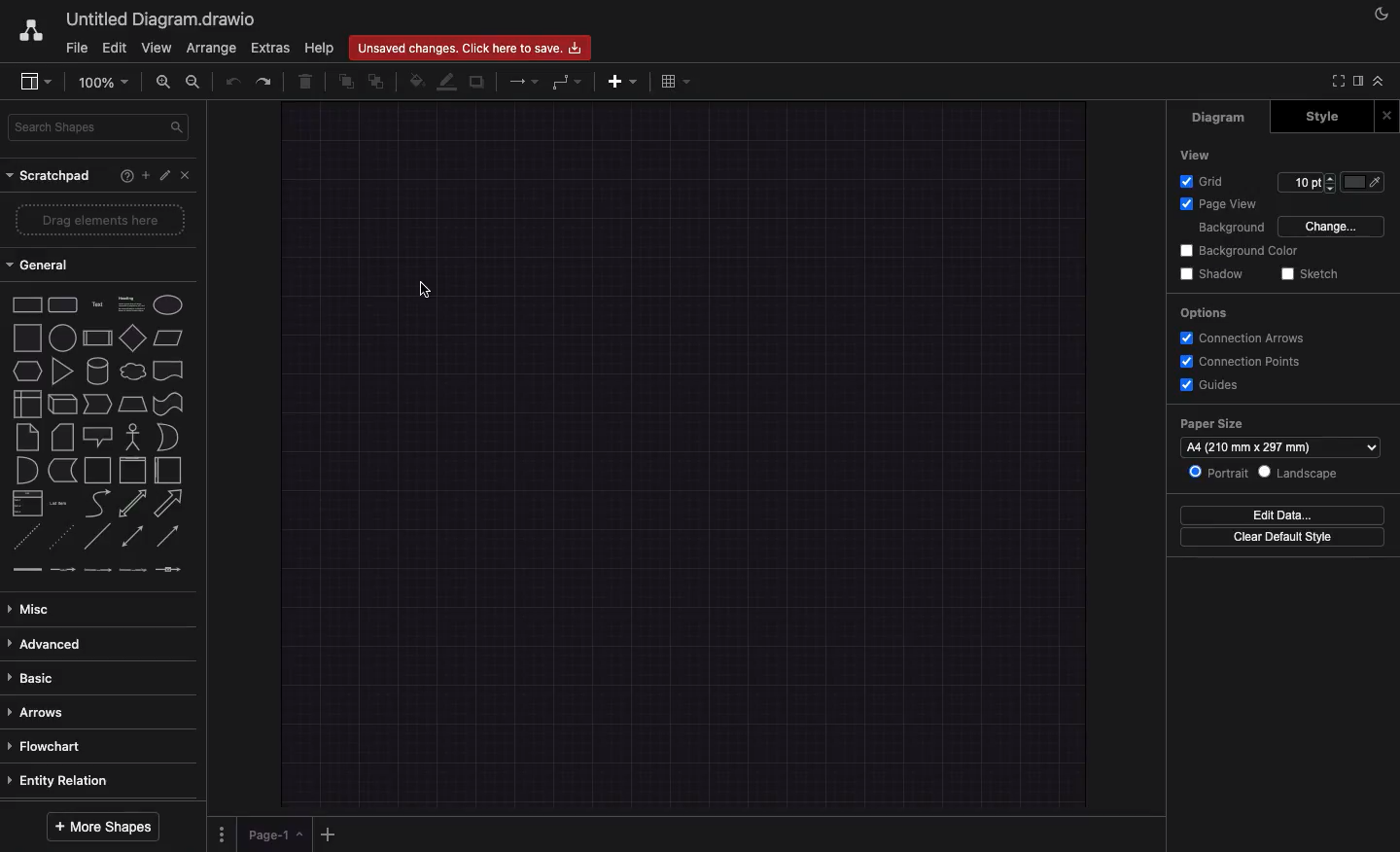  Describe the element at coordinates (97, 437) in the screenshot. I see `callout` at that location.